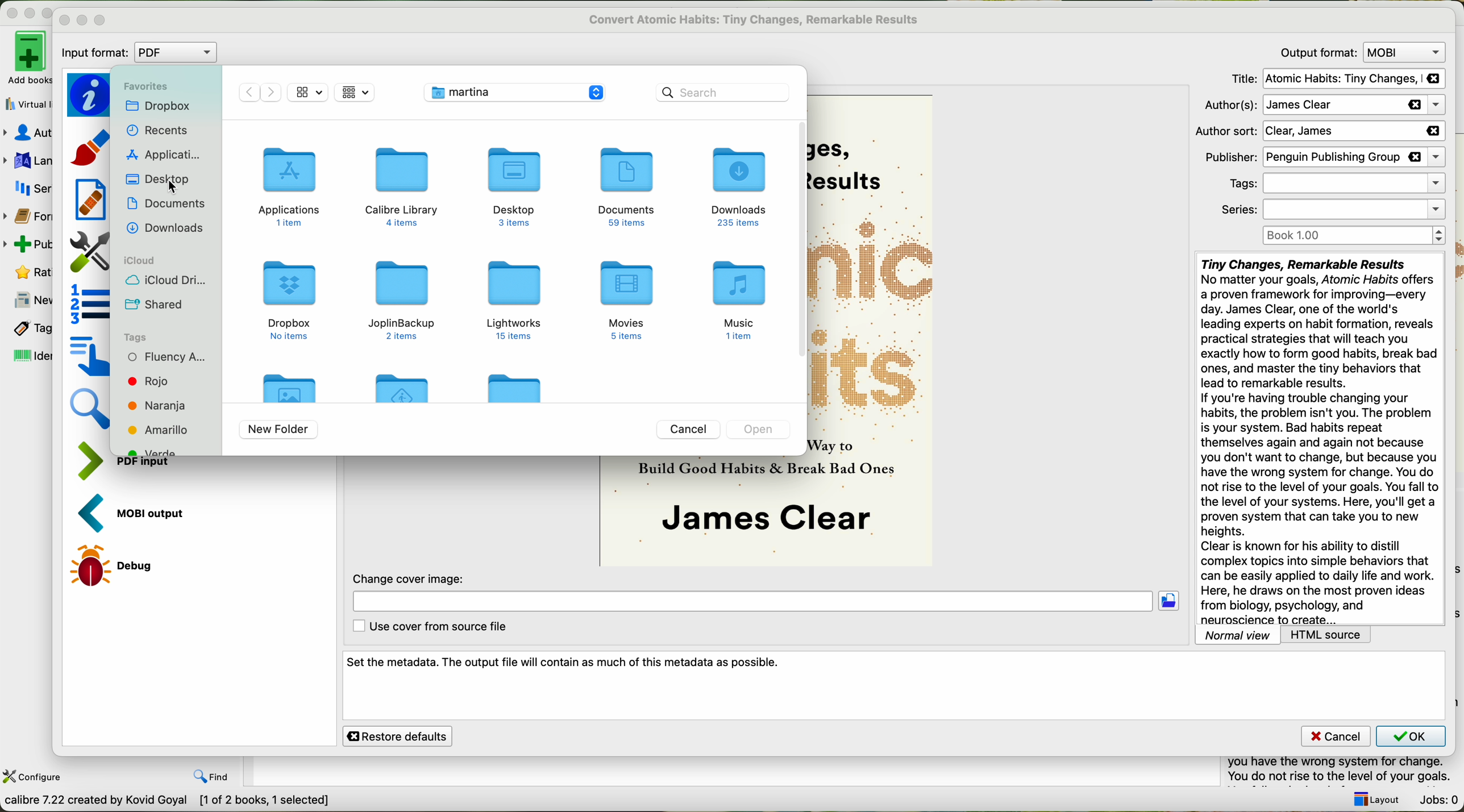 This screenshot has width=1464, height=812. I want to click on recents, so click(159, 130).